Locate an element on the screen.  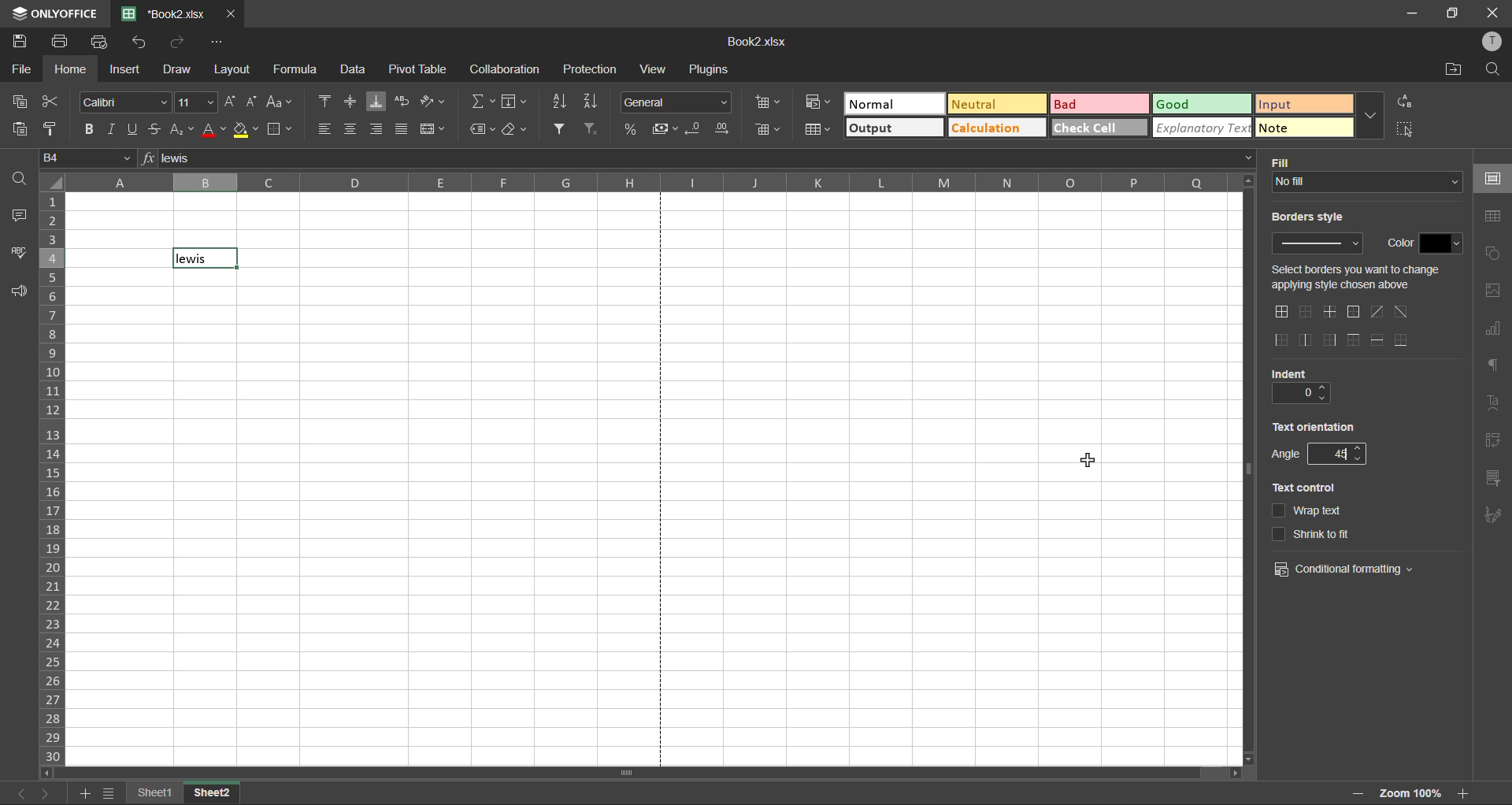
fill is located at coordinates (1284, 158).